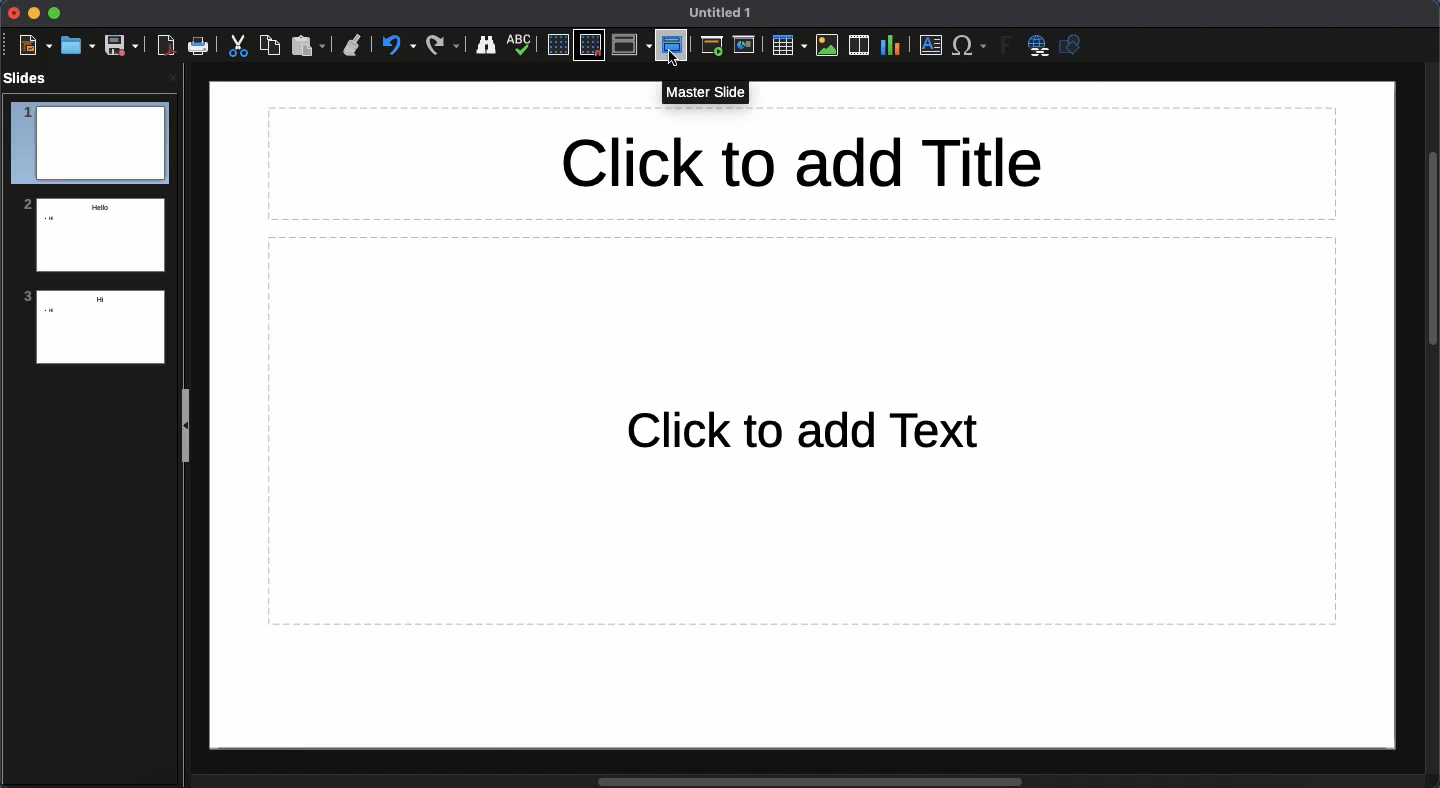 The width and height of the screenshot is (1440, 788). I want to click on Slide 3, so click(91, 324).